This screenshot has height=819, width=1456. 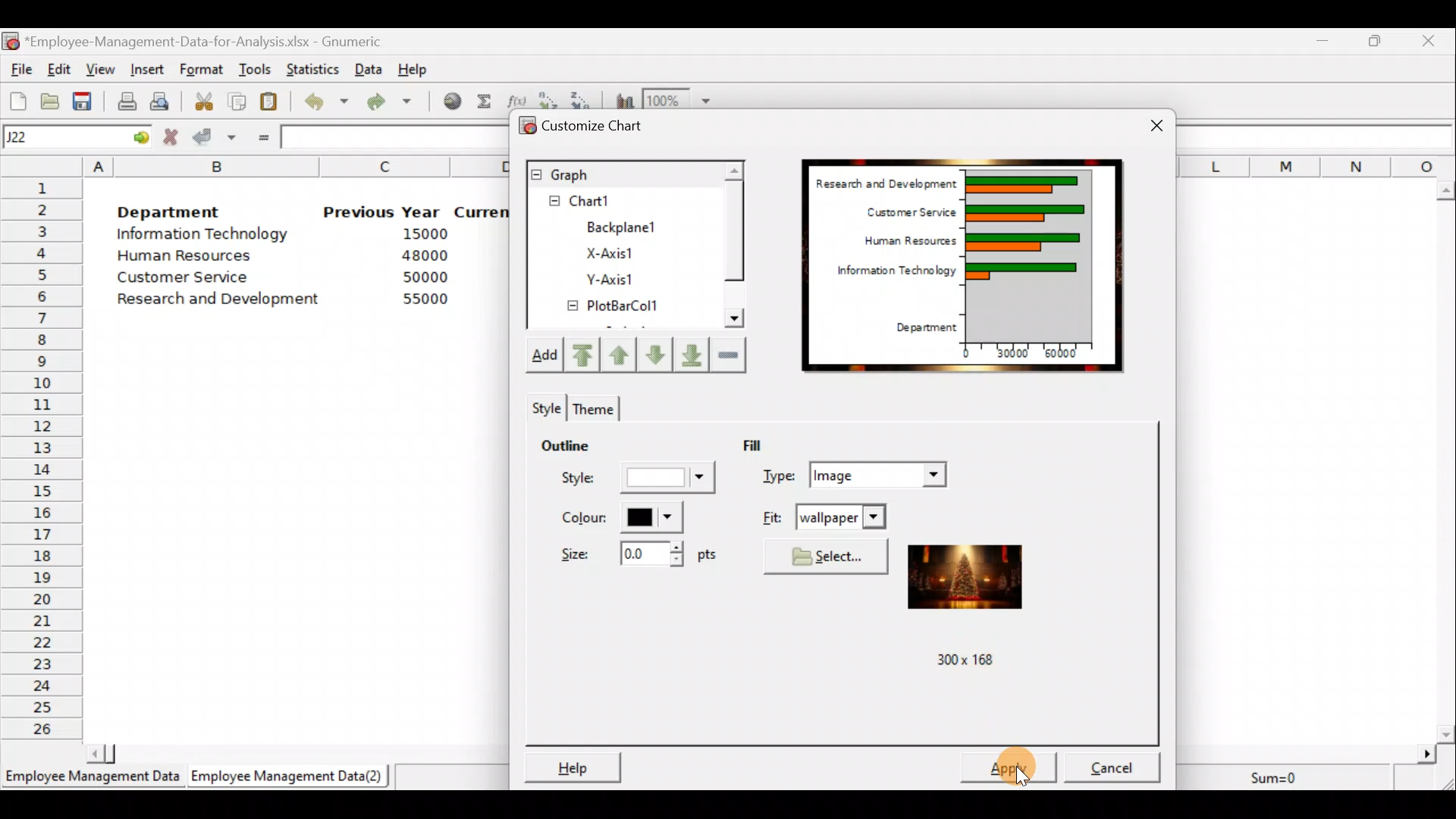 What do you see at coordinates (485, 105) in the screenshot?
I see `Sum into the current cell` at bounding box center [485, 105].